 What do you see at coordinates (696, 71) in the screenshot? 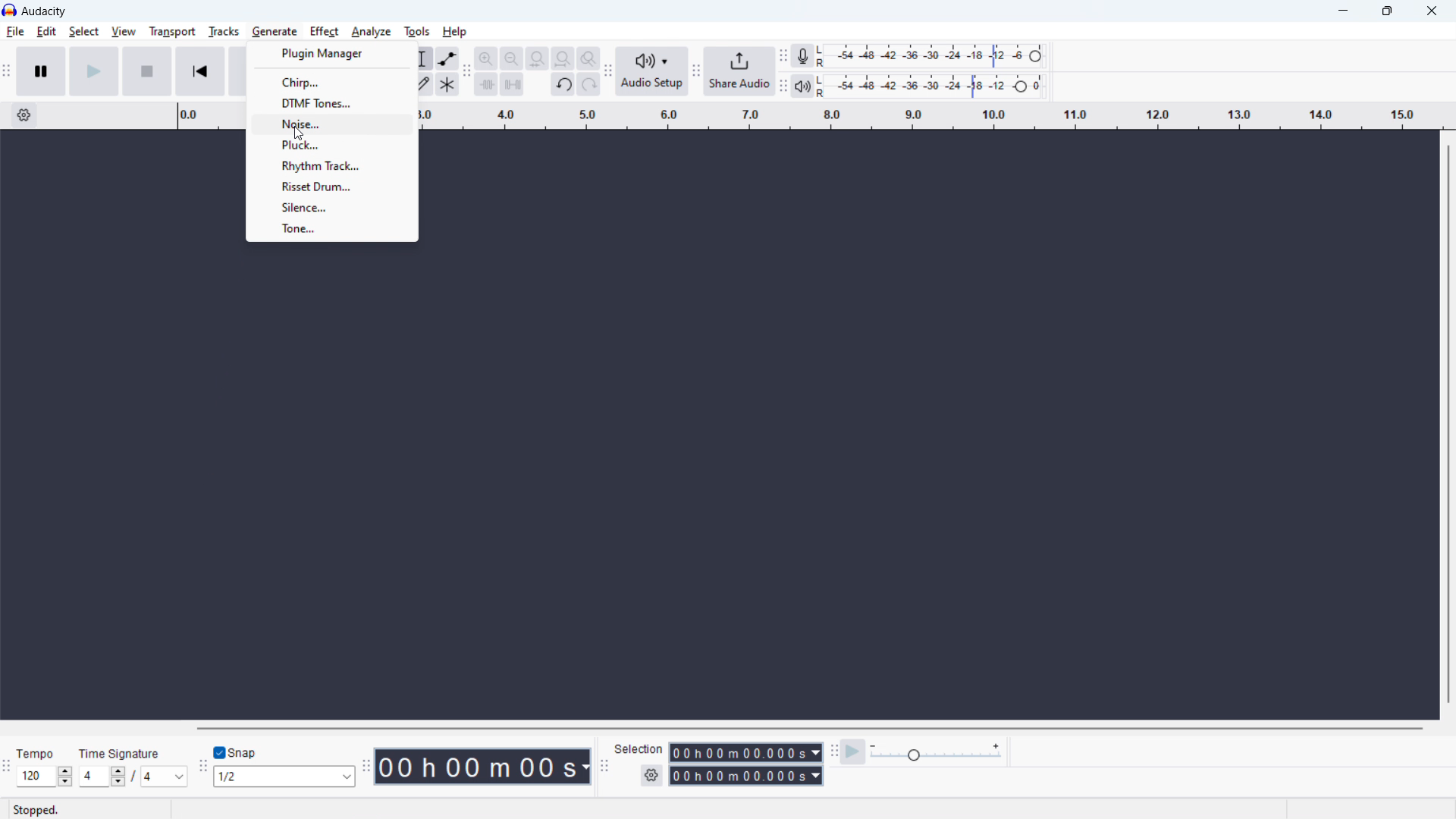
I see `share audio toolbar` at bounding box center [696, 71].